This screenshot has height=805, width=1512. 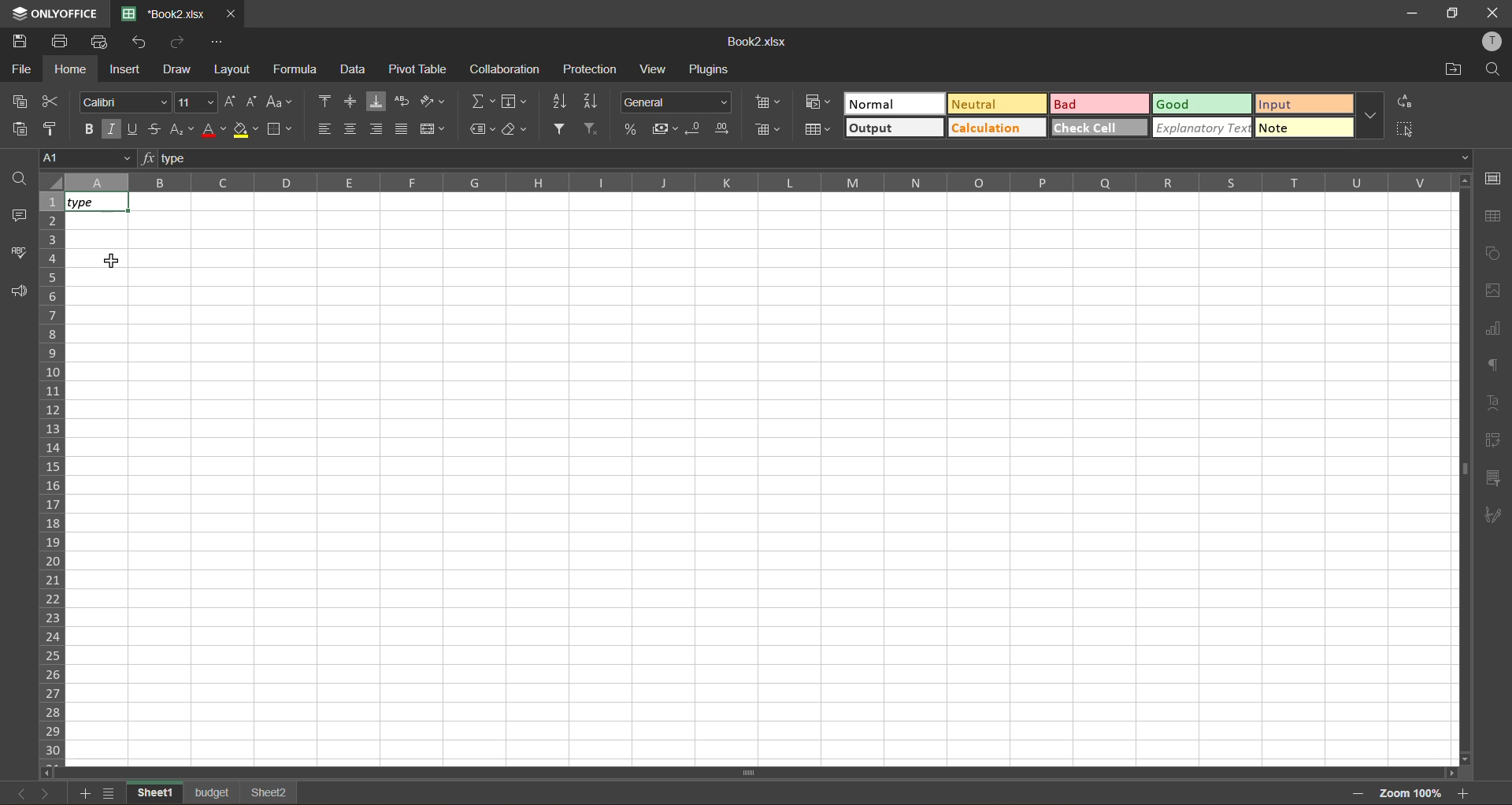 I want to click on align right, so click(x=376, y=128).